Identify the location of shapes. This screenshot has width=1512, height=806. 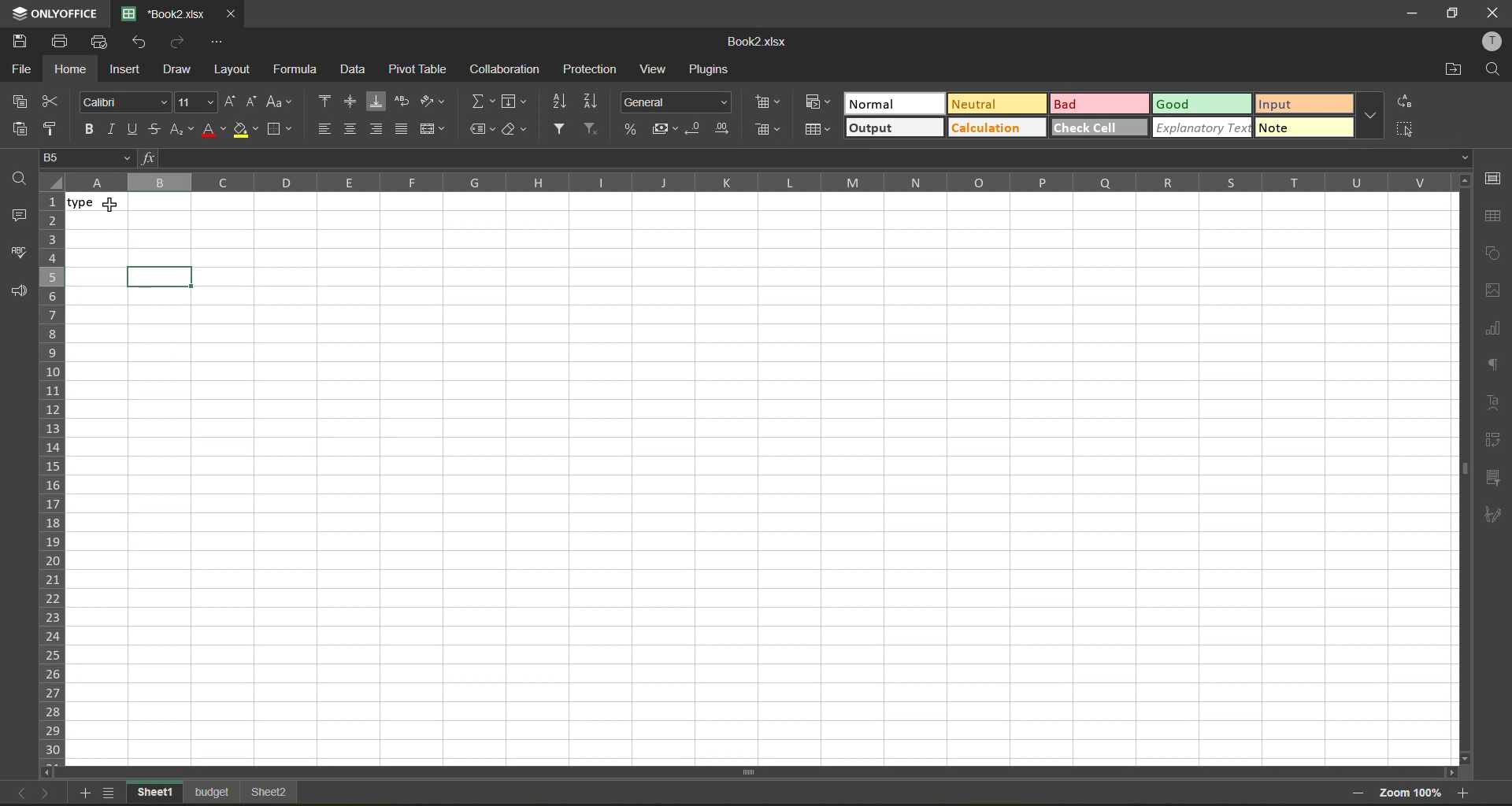
(1490, 253).